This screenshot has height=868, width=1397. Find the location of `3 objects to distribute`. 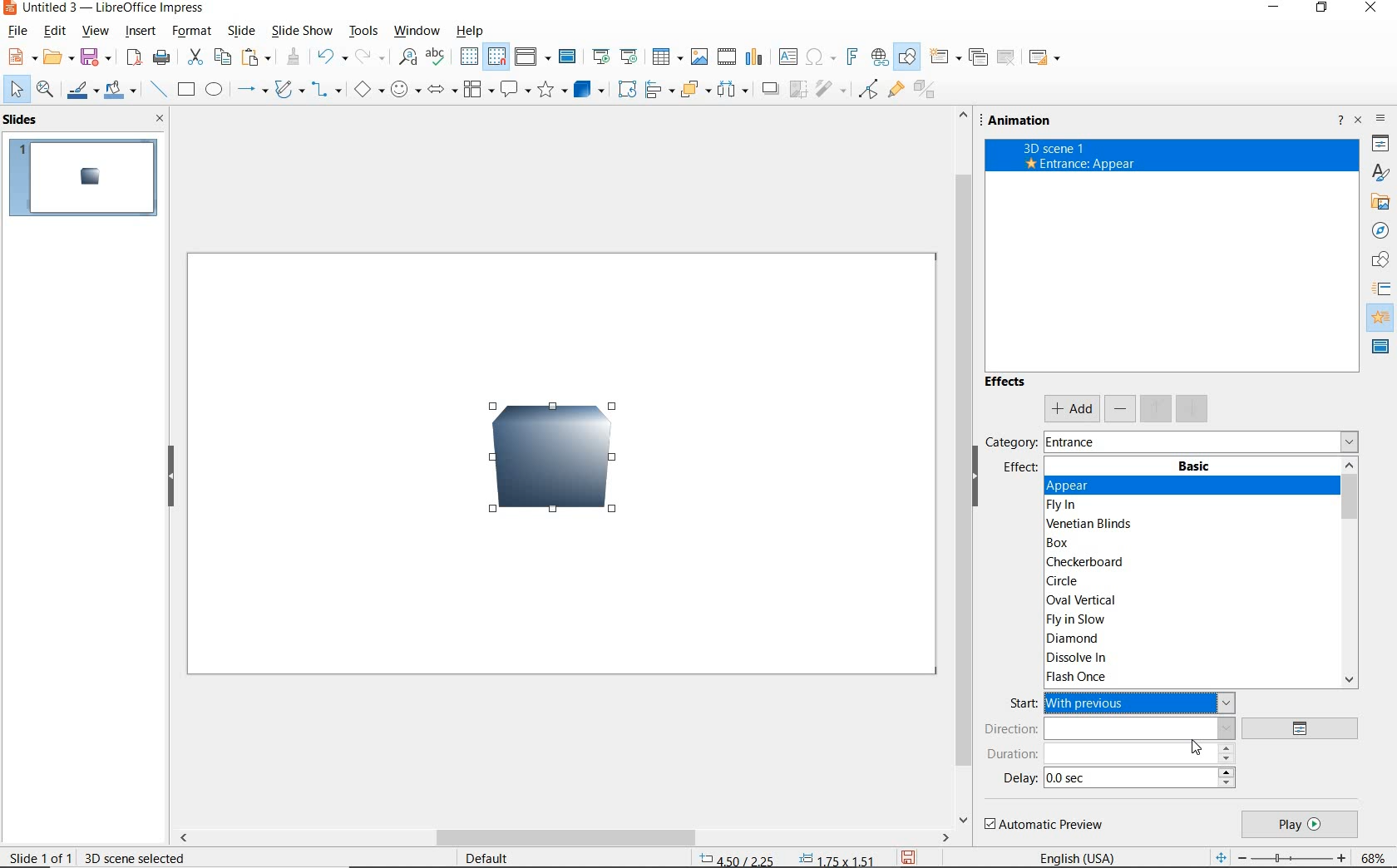

3 objects to distribute is located at coordinates (734, 91).